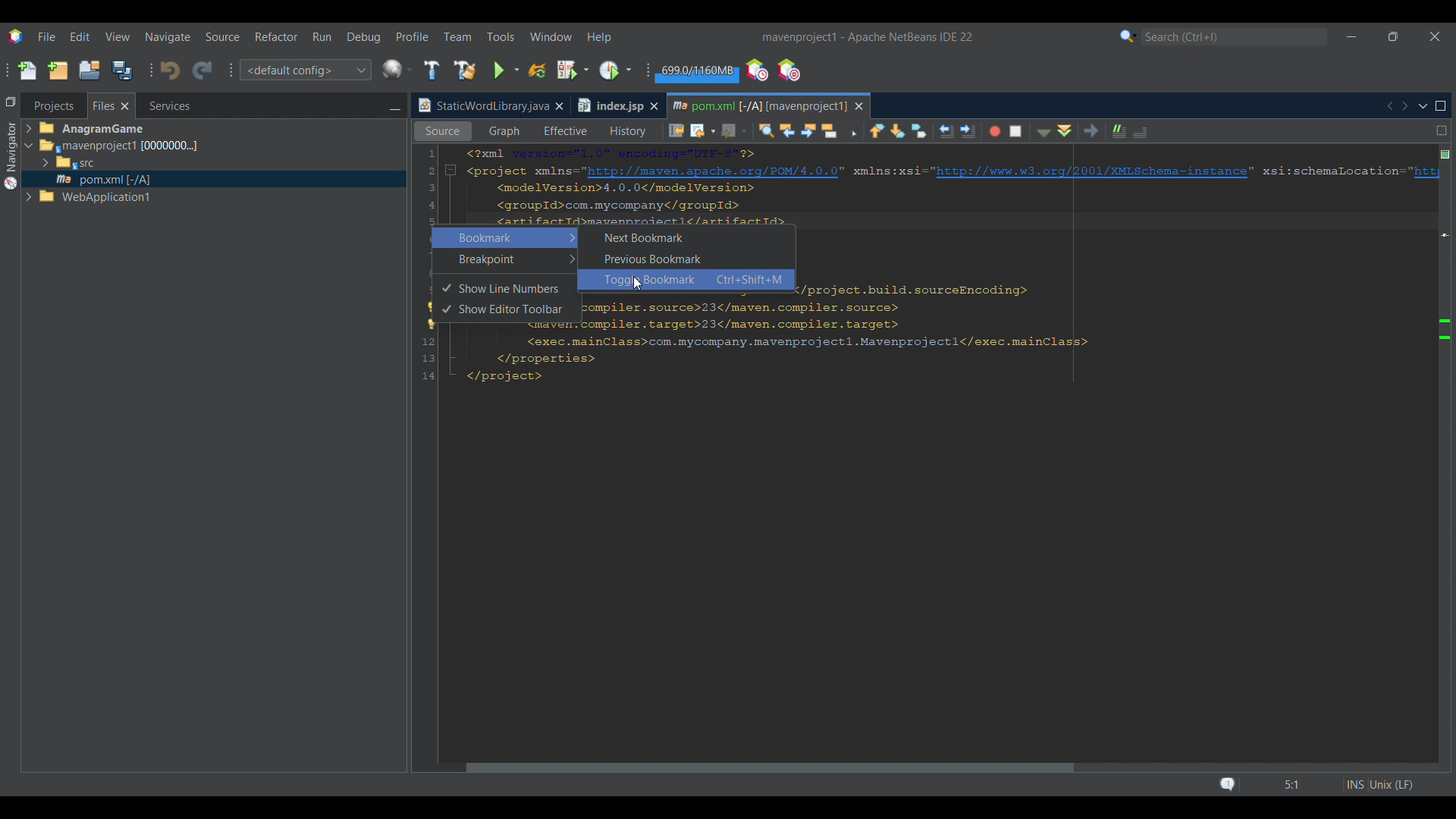 This screenshot has height=819, width=1456. I want to click on Shift line left, so click(944, 132).